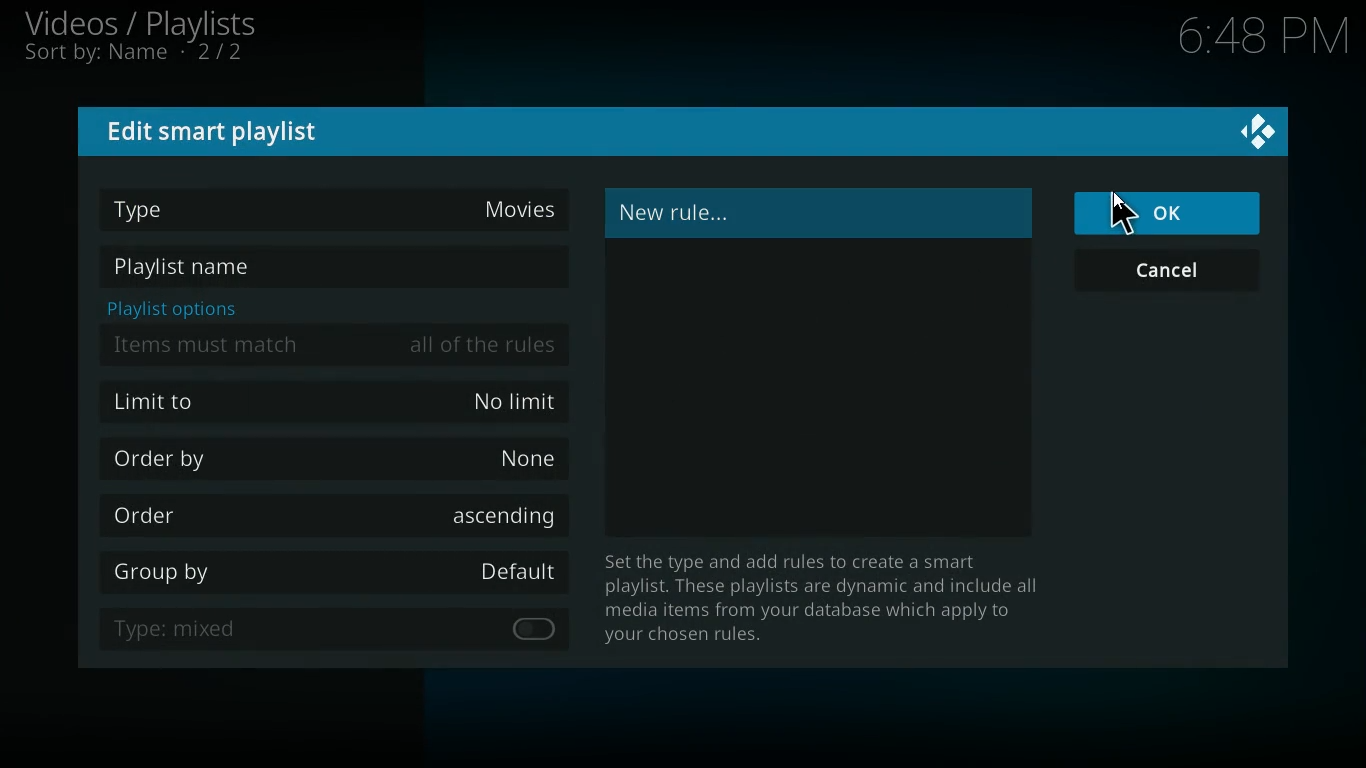 This screenshot has height=768, width=1366. What do you see at coordinates (1122, 213) in the screenshot?
I see `cursor` at bounding box center [1122, 213].